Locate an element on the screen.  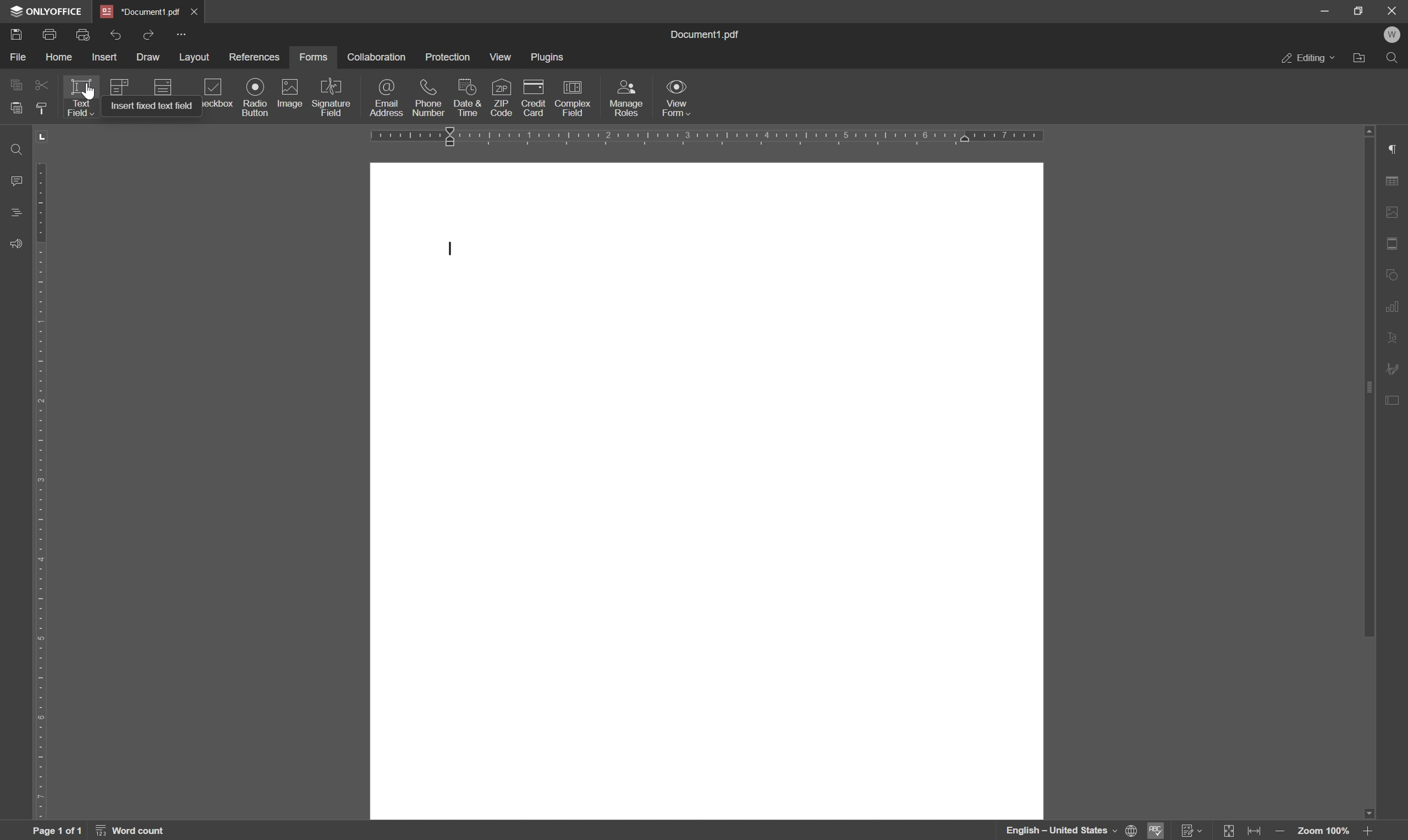
home is located at coordinates (63, 59).